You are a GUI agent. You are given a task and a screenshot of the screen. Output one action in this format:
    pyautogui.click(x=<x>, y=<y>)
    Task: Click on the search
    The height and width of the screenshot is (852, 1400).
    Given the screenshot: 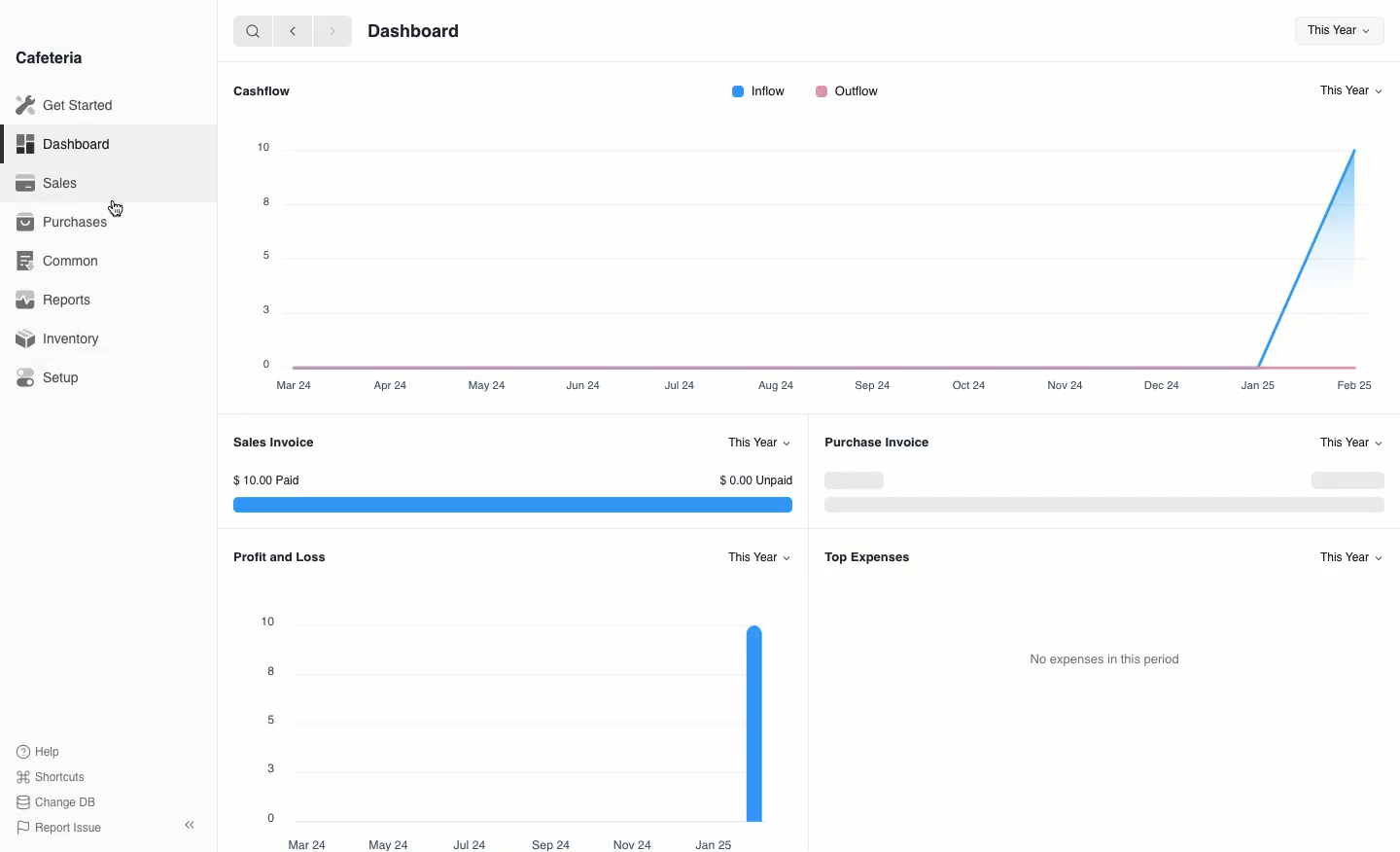 What is the action you would take?
    pyautogui.click(x=250, y=30)
    